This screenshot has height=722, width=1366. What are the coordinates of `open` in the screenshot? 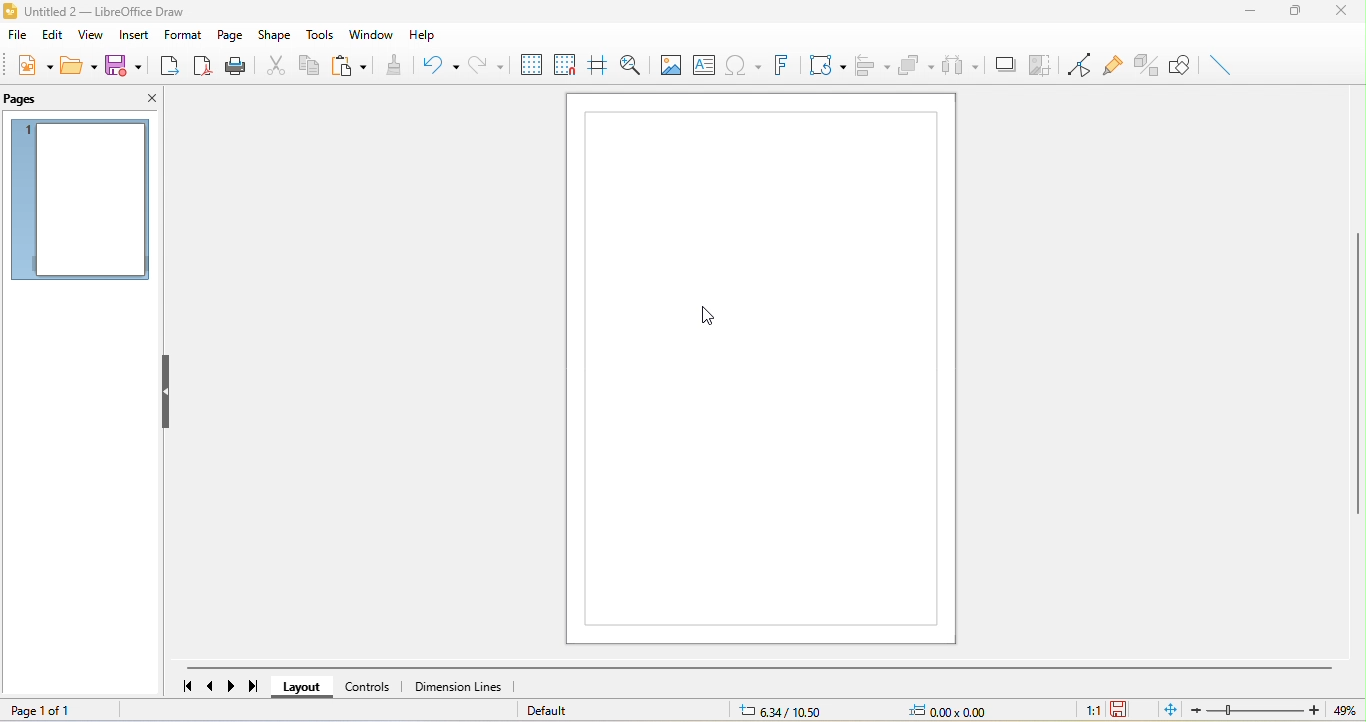 It's located at (77, 69).